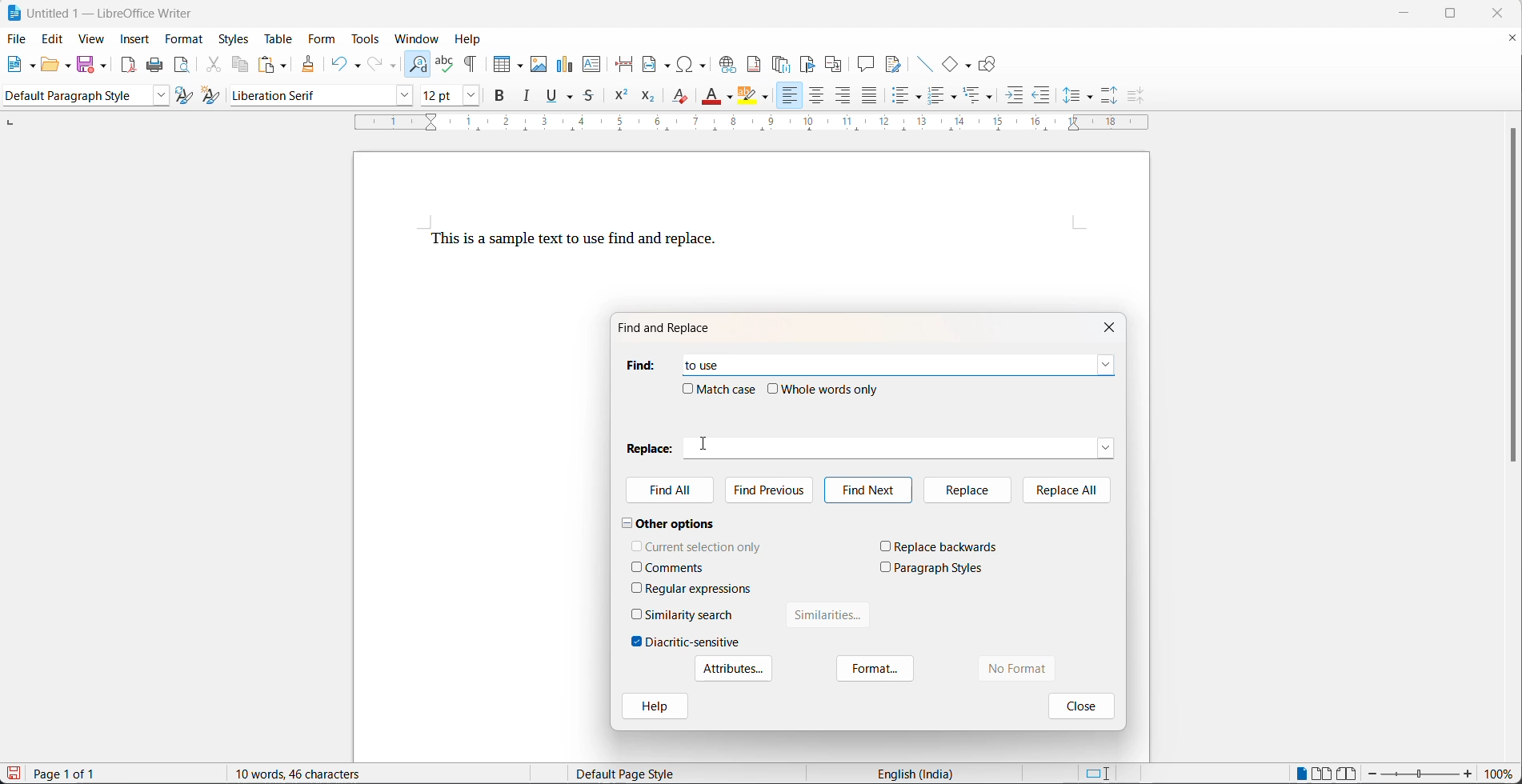 The width and height of the screenshot is (1522, 784). What do you see at coordinates (867, 490) in the screenshot?
I see `find next` at bounding box center [867, 490].